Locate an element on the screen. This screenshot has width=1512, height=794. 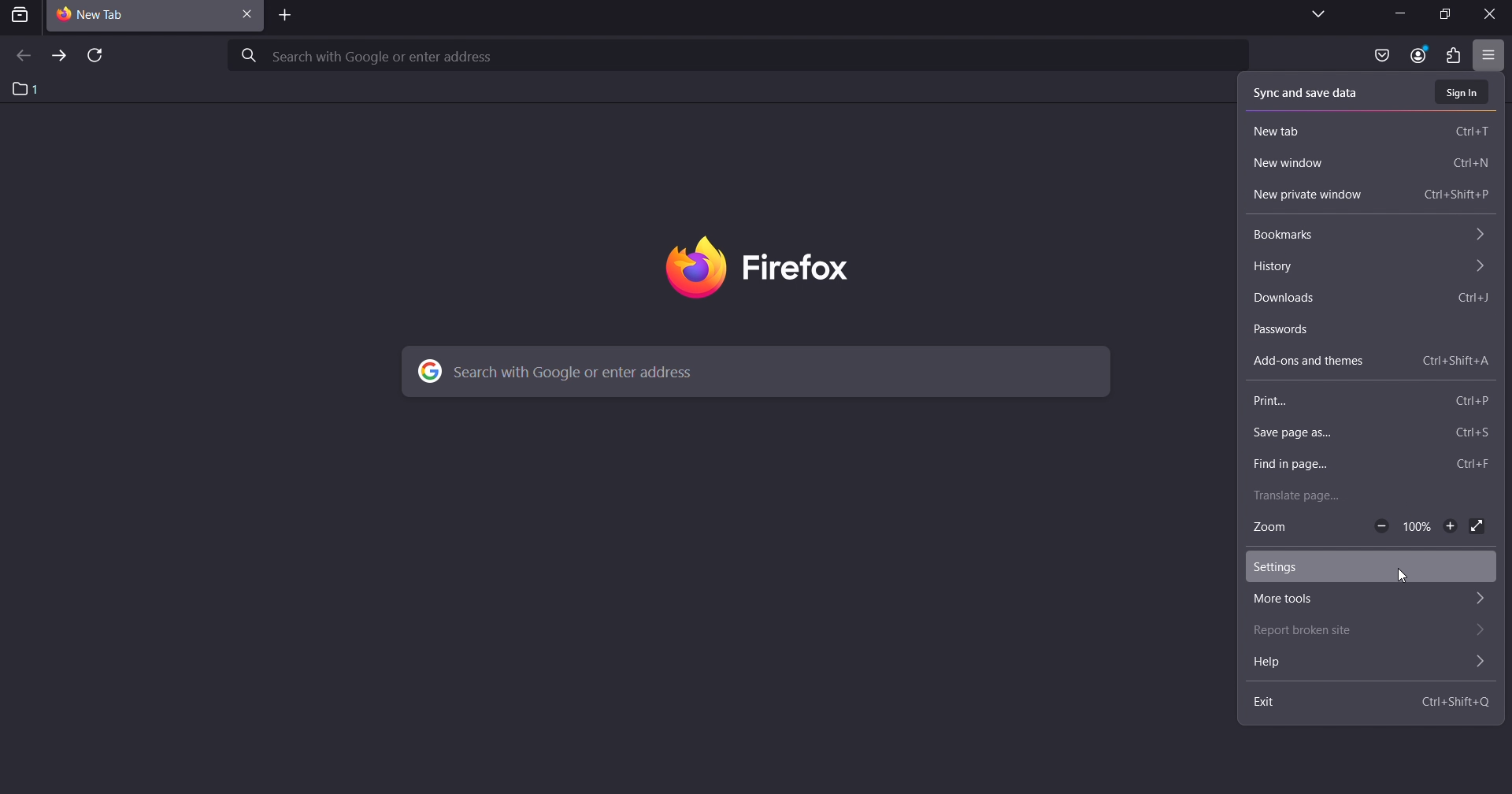
exit is located at coordinates (1372, 701).